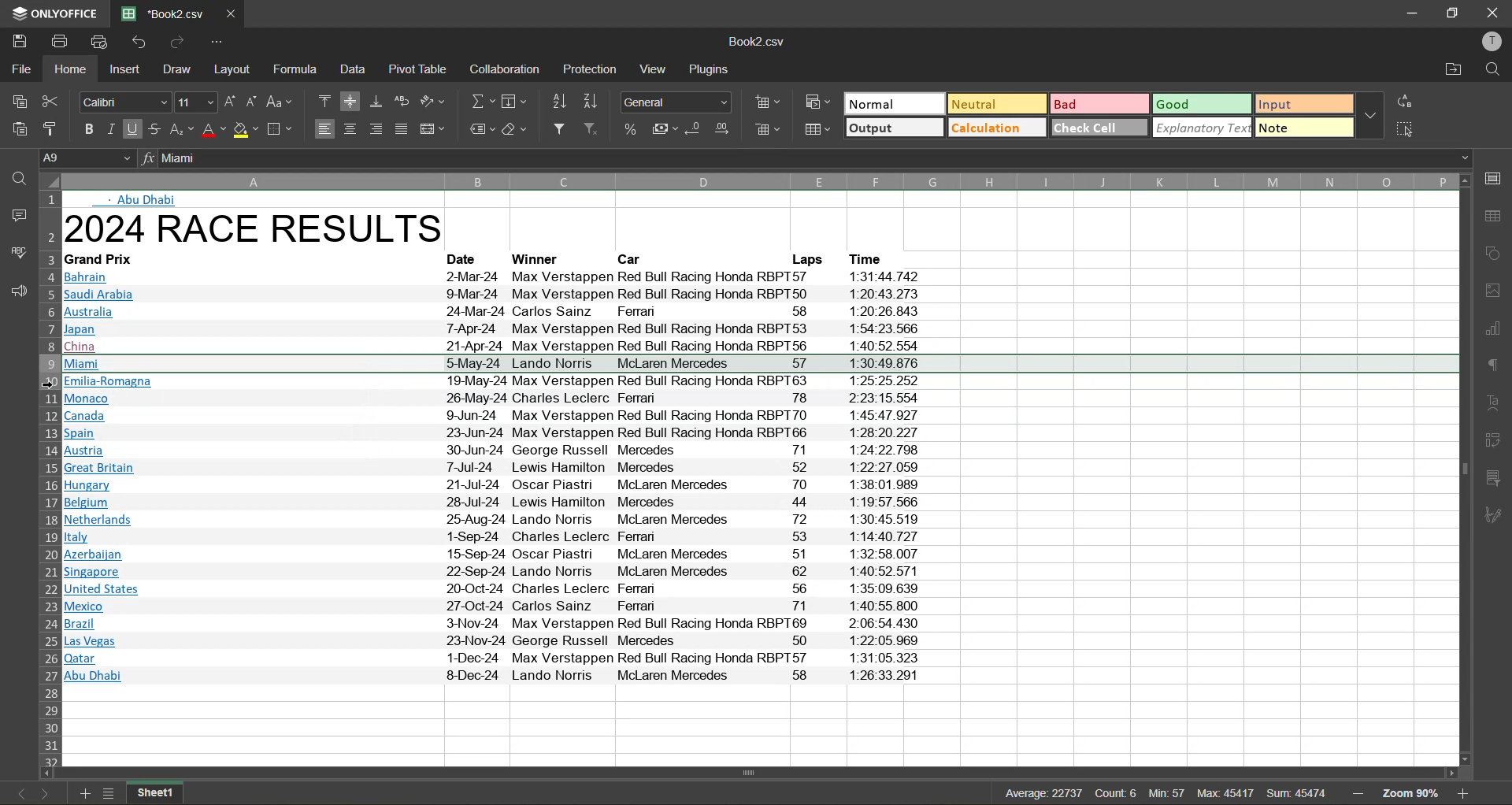 The width and height of the screenshot is (1512, 805). I want to click on Australia 24-Mar-24 Carlos Sainz ~~ Feman 58 1:20:26.843, so click(495, 313).